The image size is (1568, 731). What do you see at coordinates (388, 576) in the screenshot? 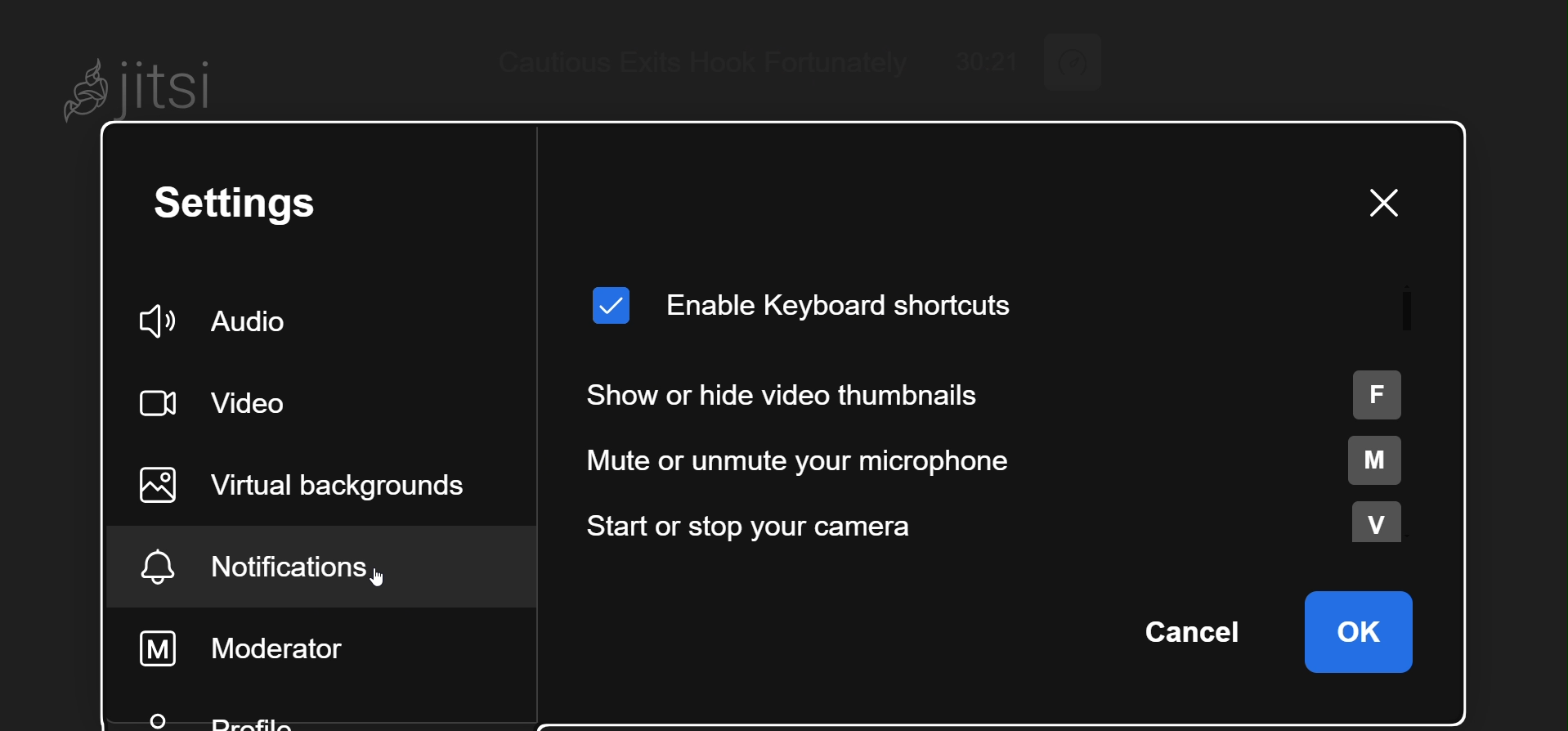
I see `cursor` at bounding box center [388, 576].